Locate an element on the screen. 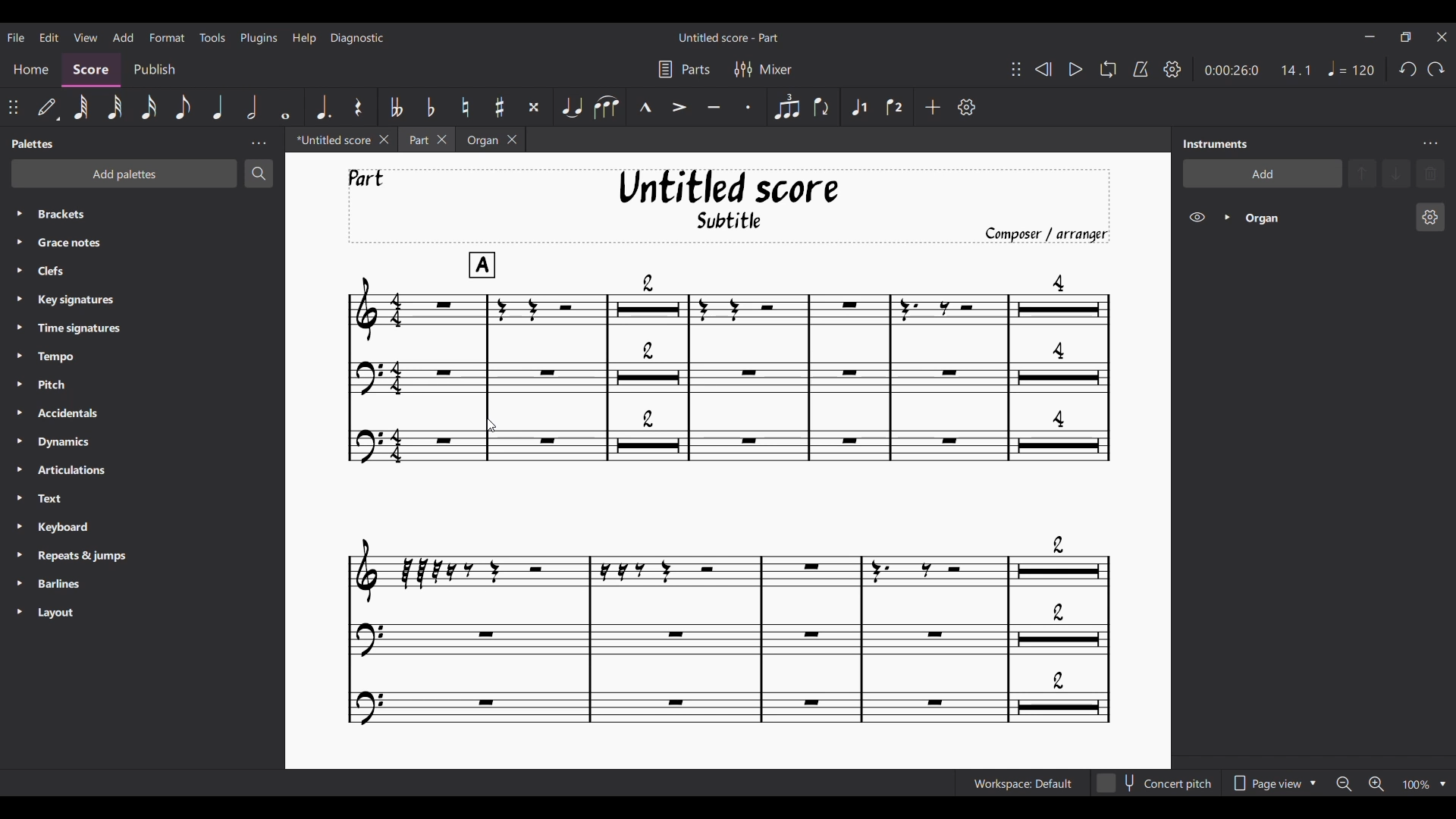  Zoom in is located at coordinates (1376, 784).